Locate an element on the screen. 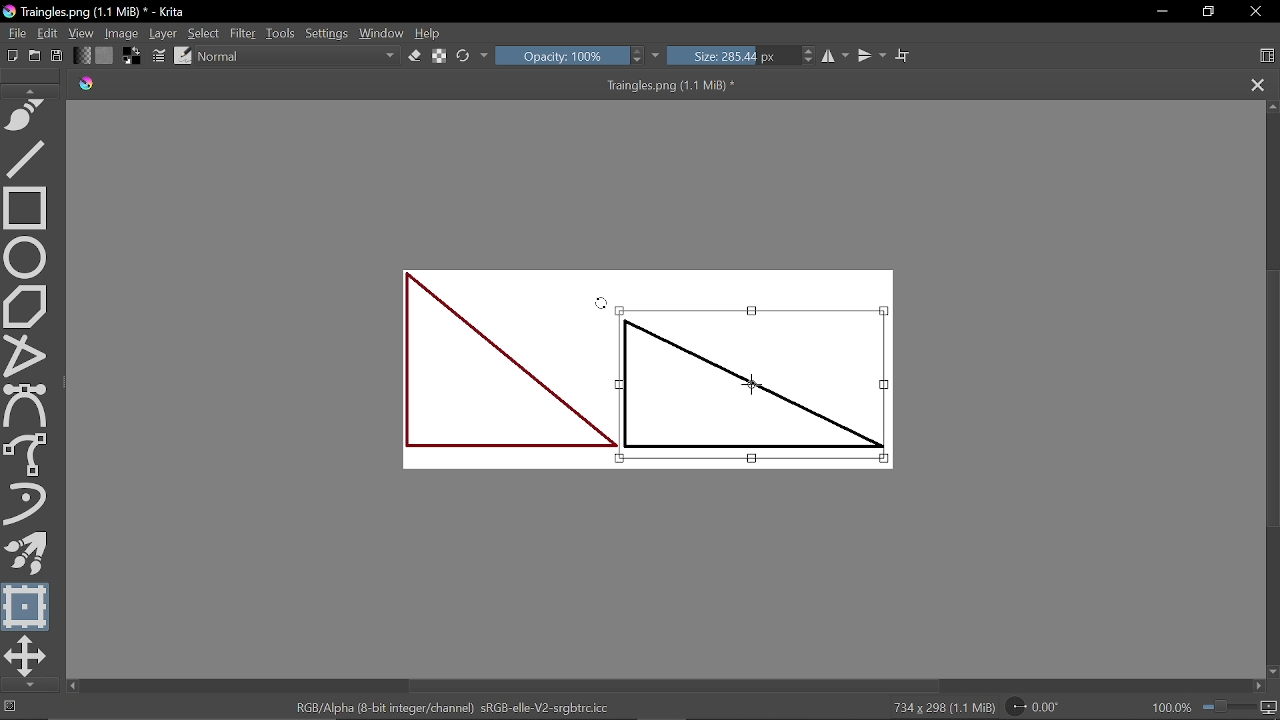  Choose brush preset is located at coordinates (183, 55).